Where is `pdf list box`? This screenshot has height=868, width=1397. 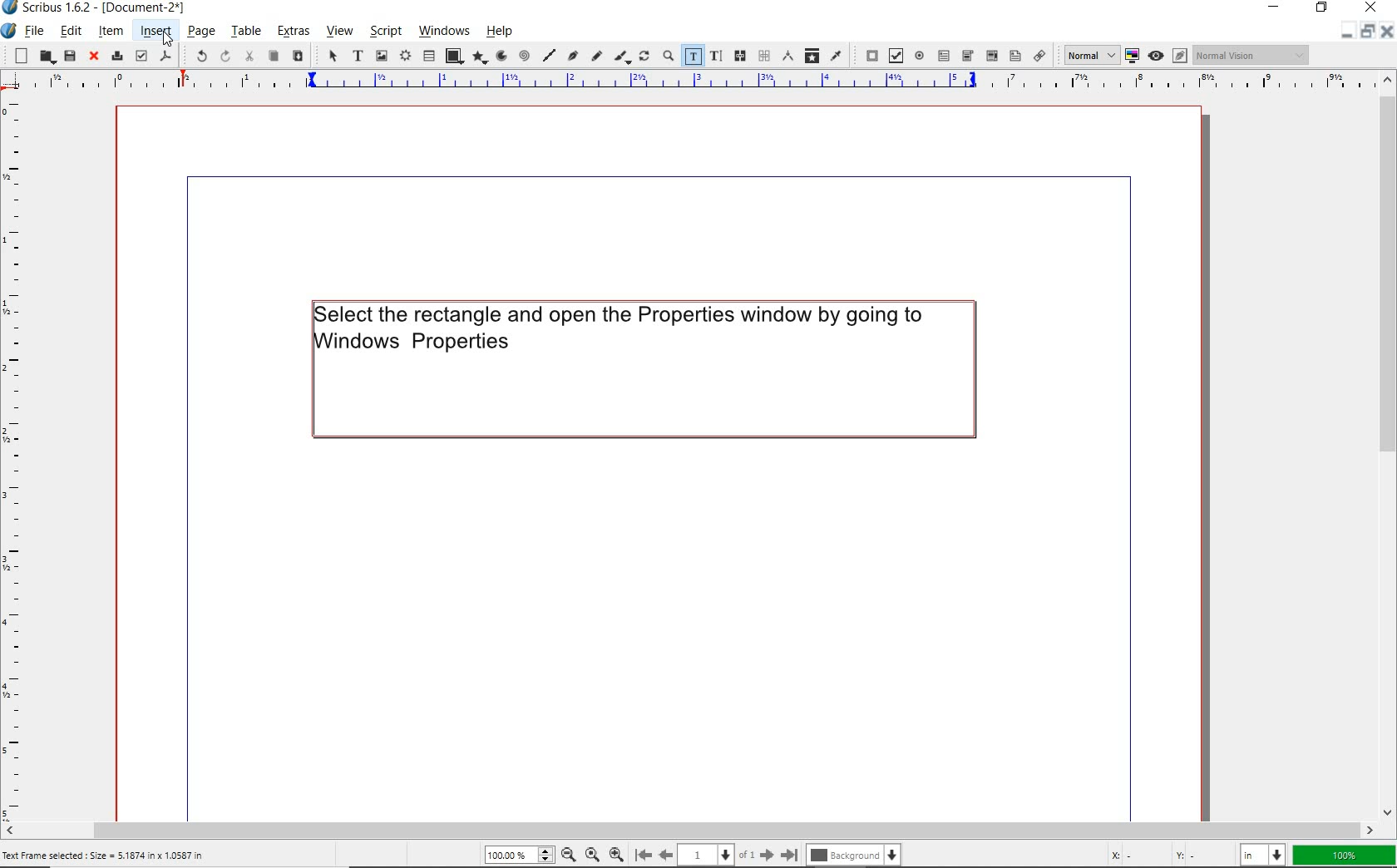
pdf list box is located at coordinates (992, 57).